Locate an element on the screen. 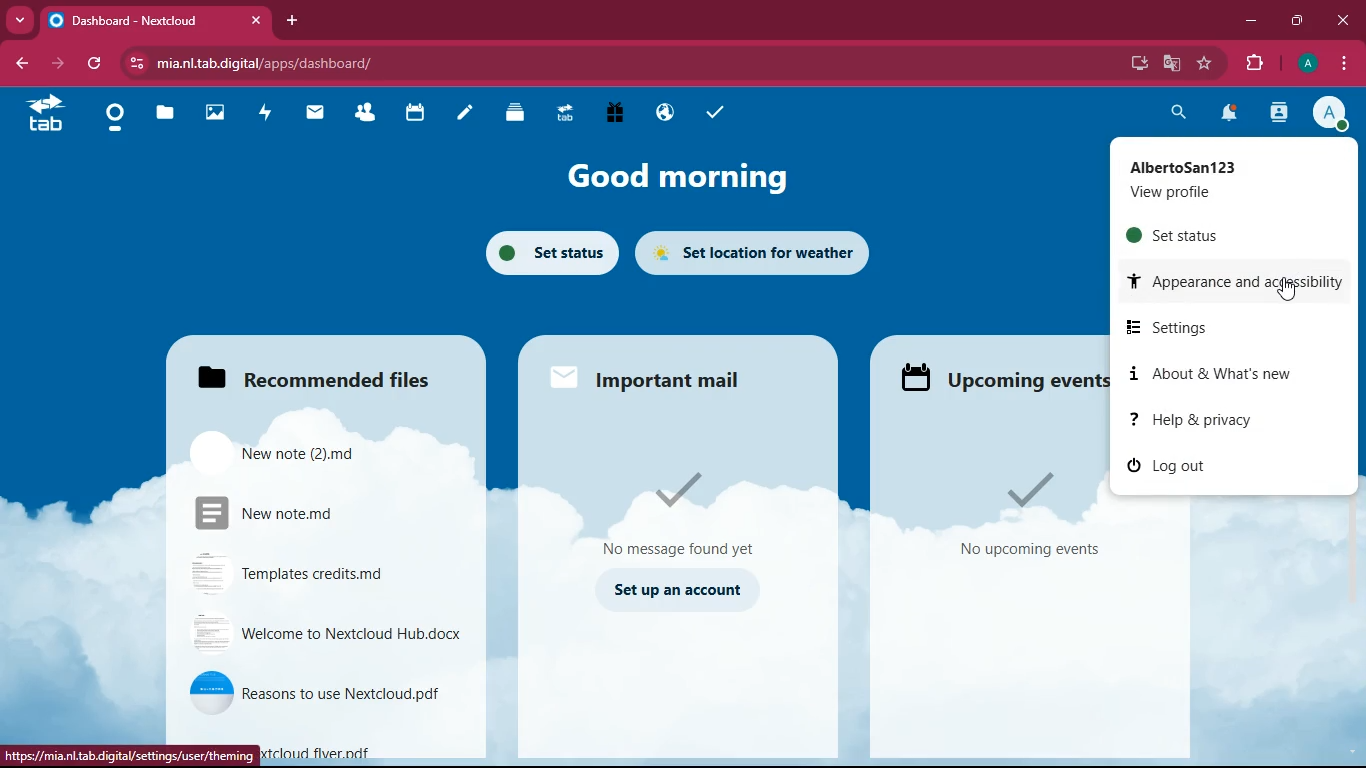 This screenshot has height=768, width=1366. tab is located at coordinates (46, 113).